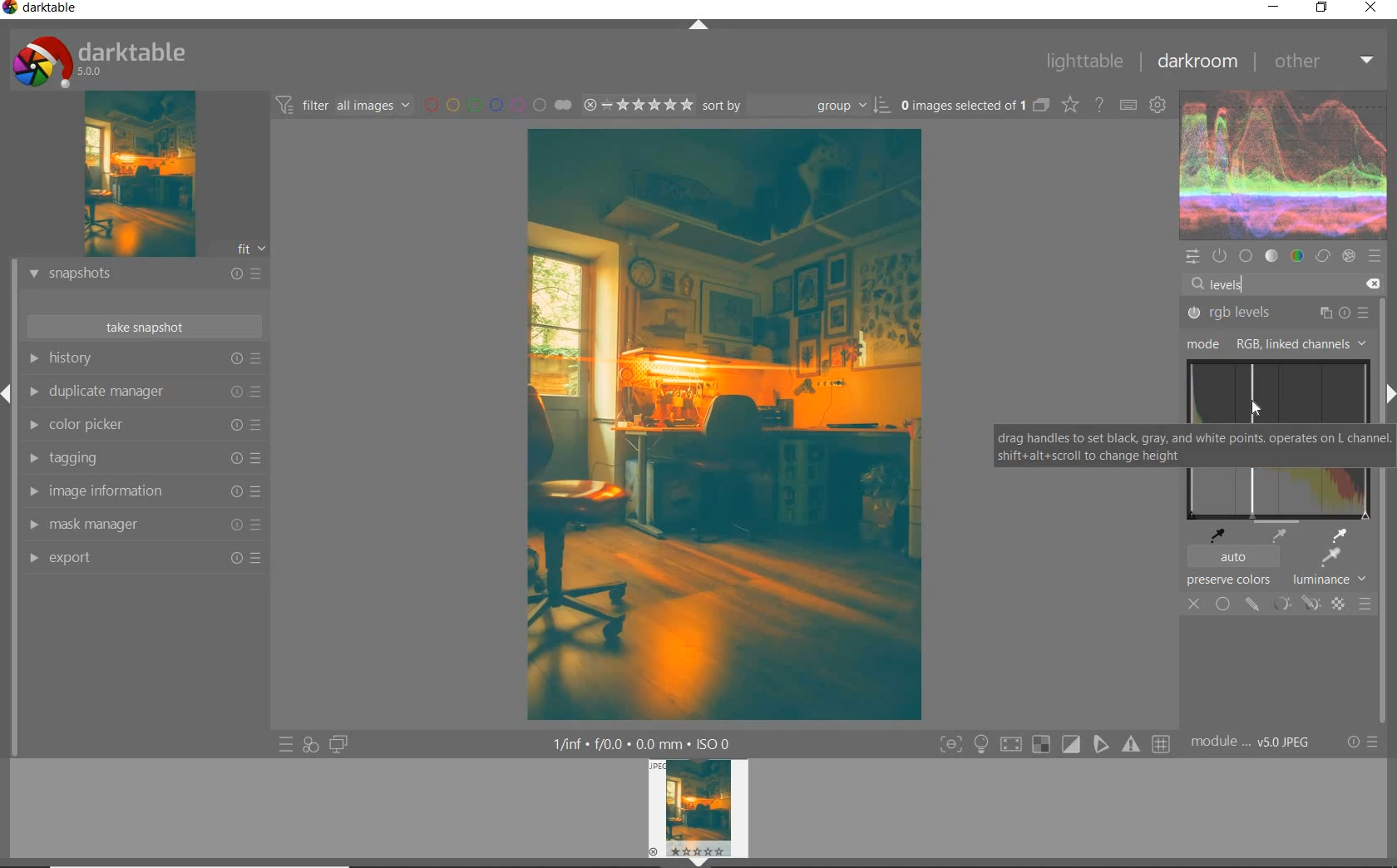 The height and width of the screenshot is (868, 1397). I want to click on blending options, so click(1365, 604).